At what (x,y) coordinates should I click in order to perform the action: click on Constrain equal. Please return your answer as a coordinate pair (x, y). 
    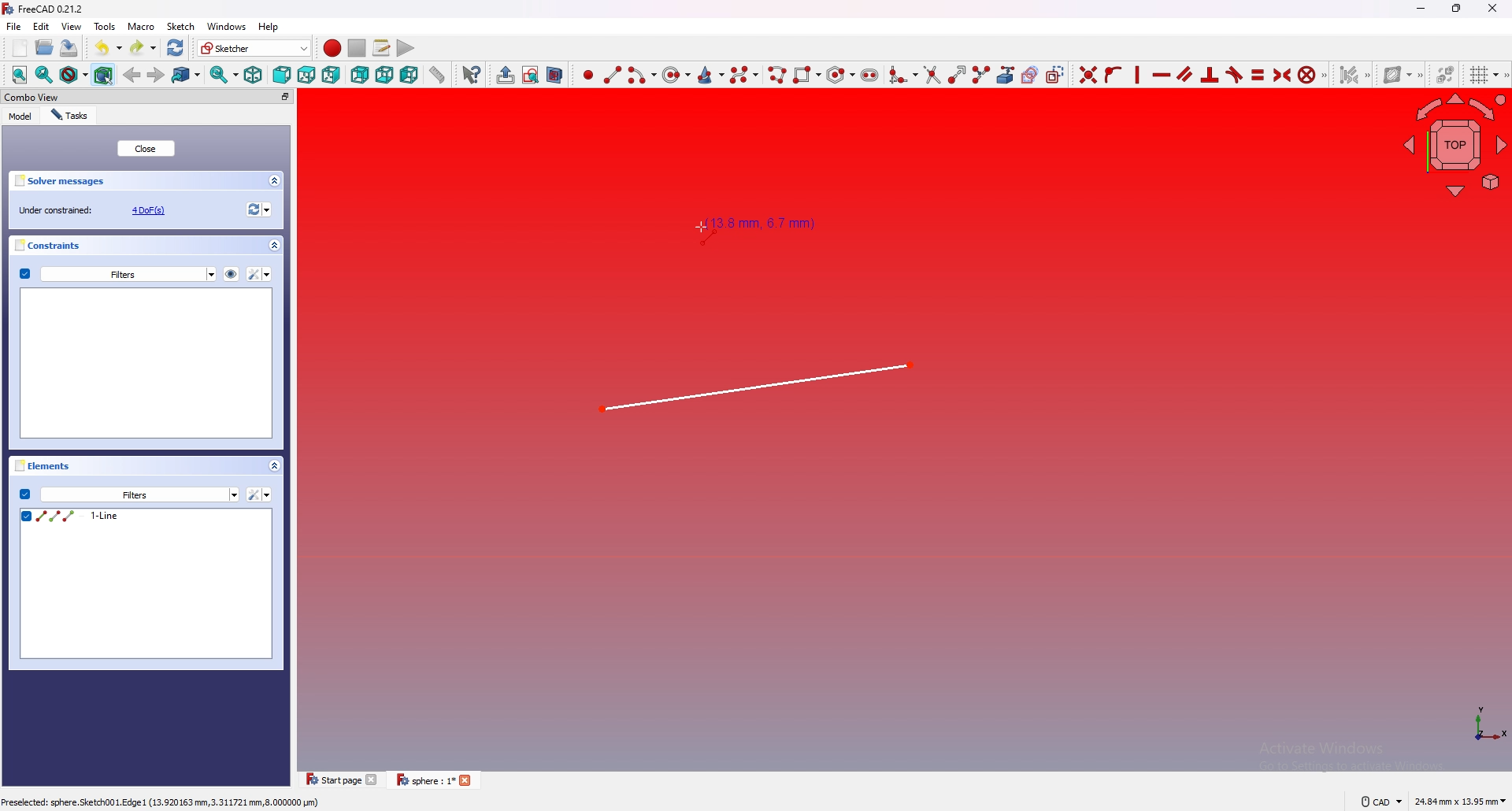
    Looking at the image, I should click on (1258, 74).